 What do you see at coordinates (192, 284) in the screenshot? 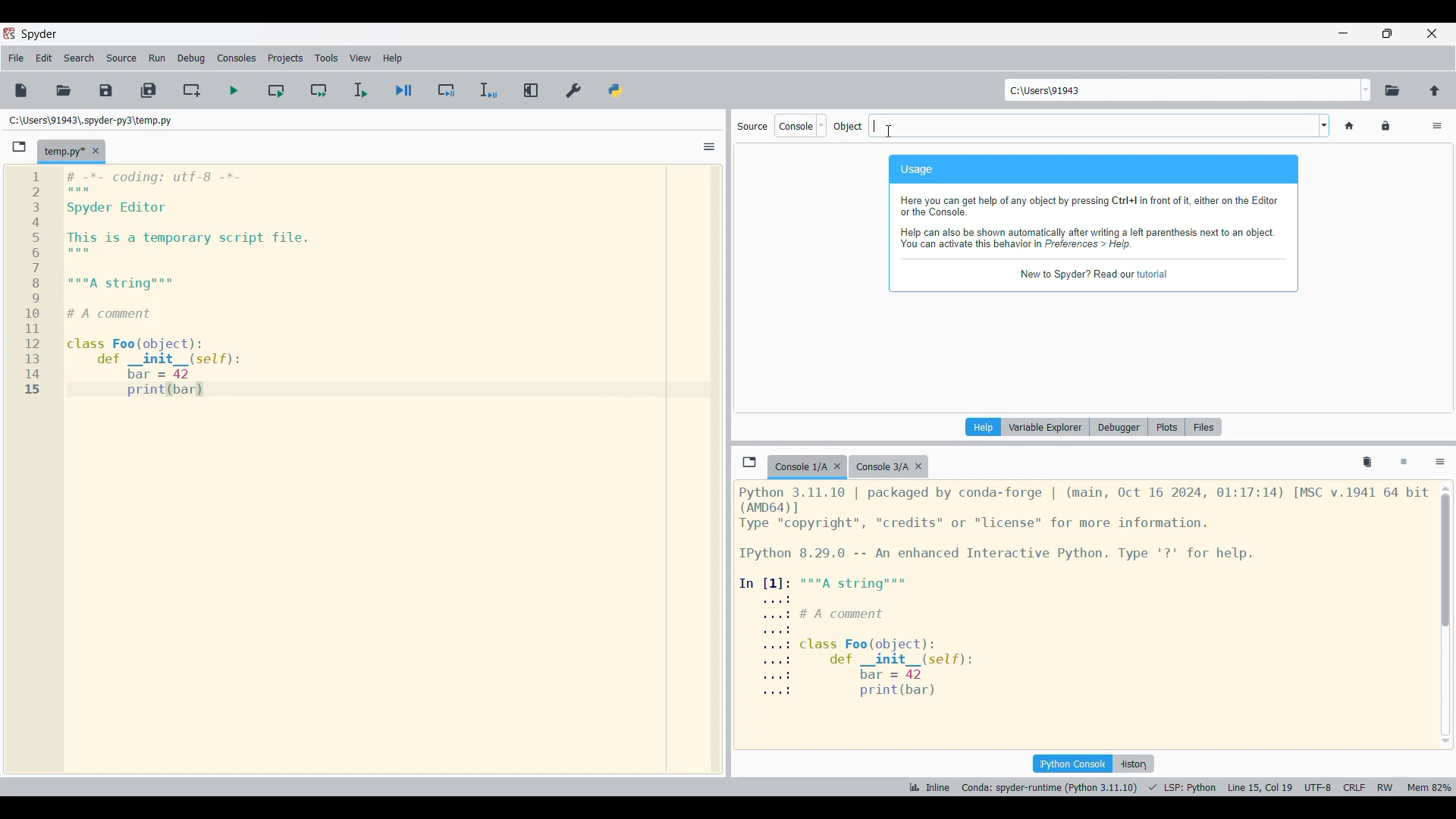
I see `Current code` at bounding box center [192, 284].